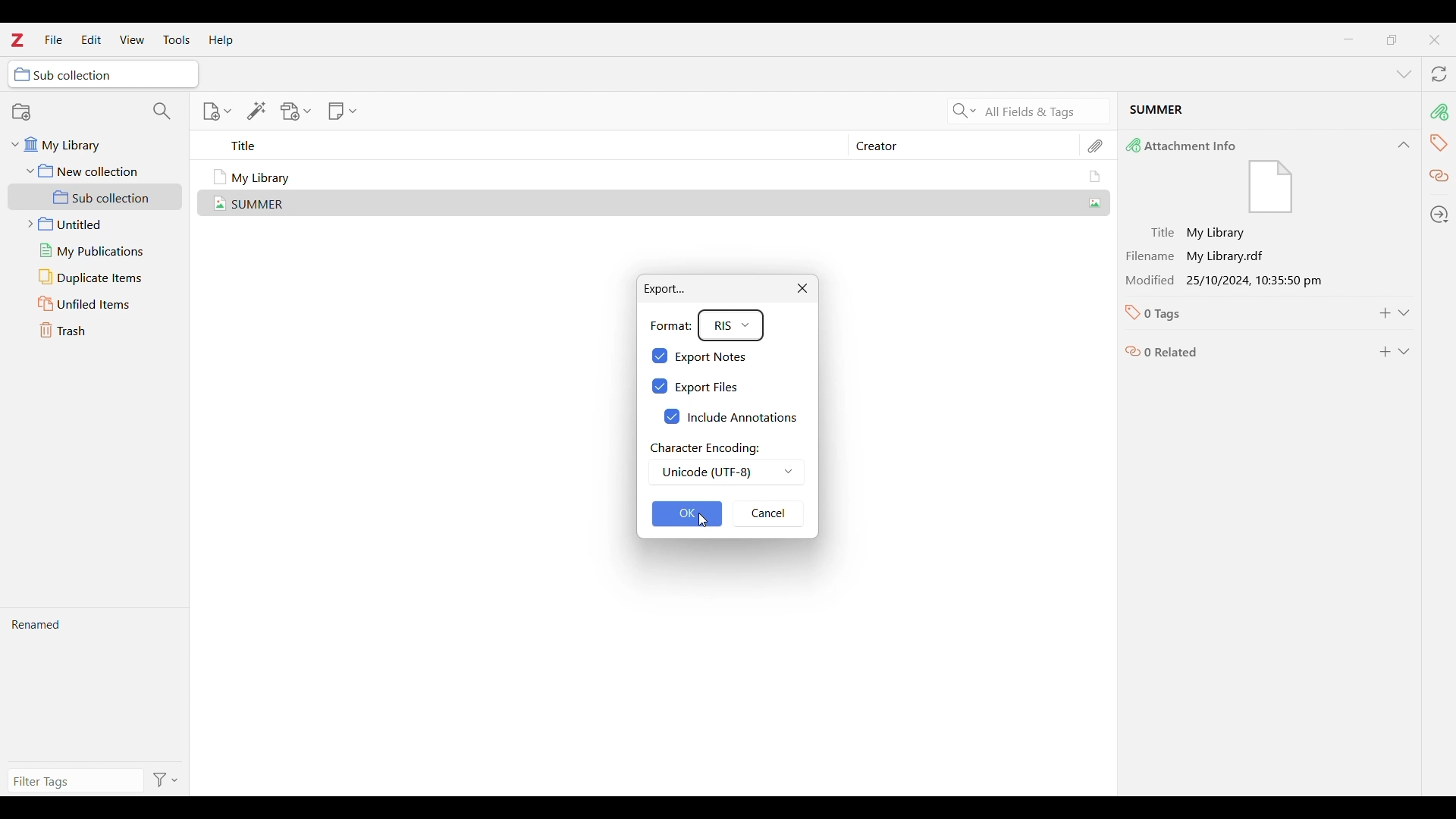  Describe the element at coordinates (1404, 145) in the screenshot. I see `Collapse` at that location.